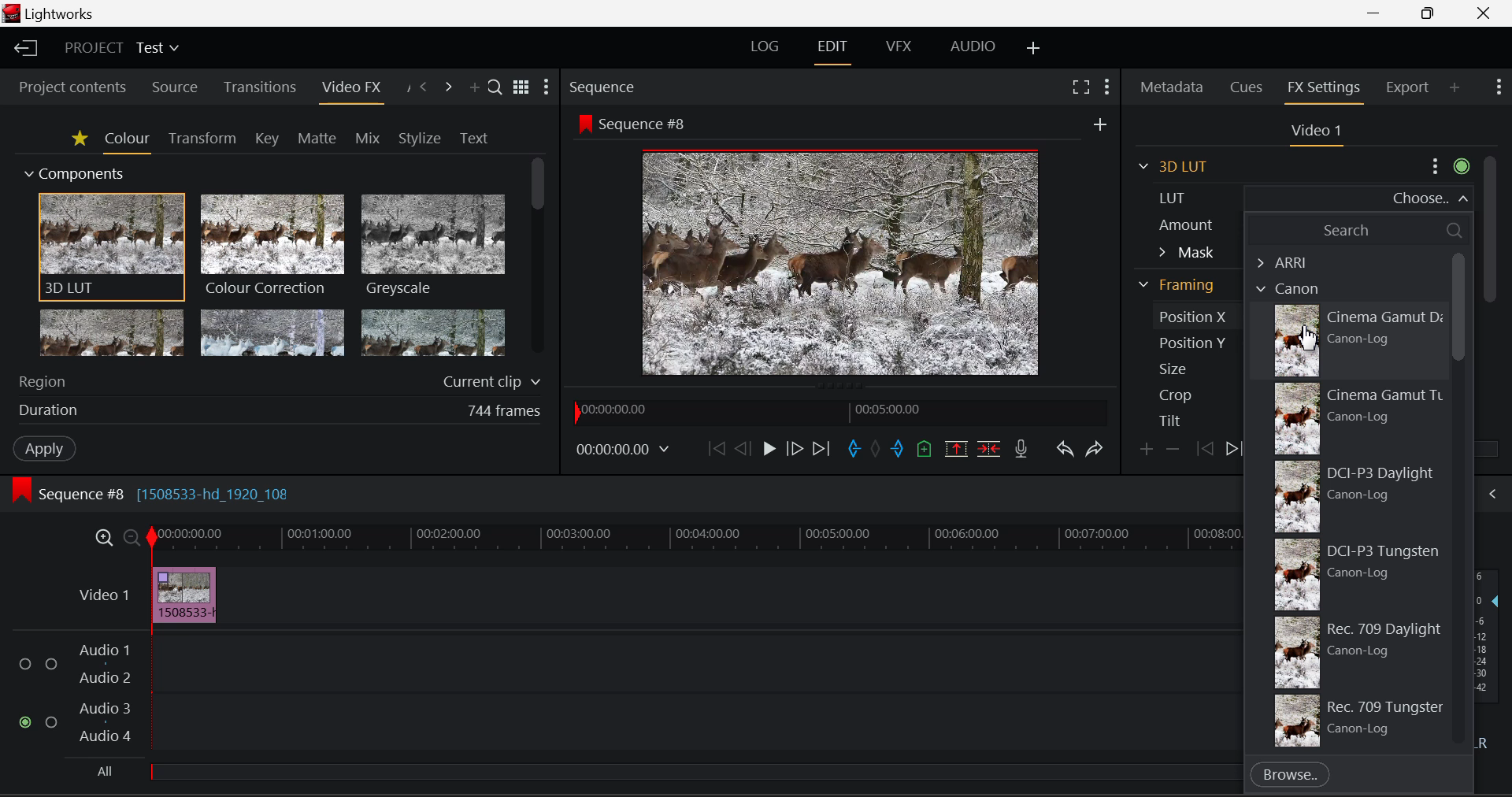  Describe the element at coordinates (127, 143) in the screenshot. I see `Colour Tab Open` at that location.